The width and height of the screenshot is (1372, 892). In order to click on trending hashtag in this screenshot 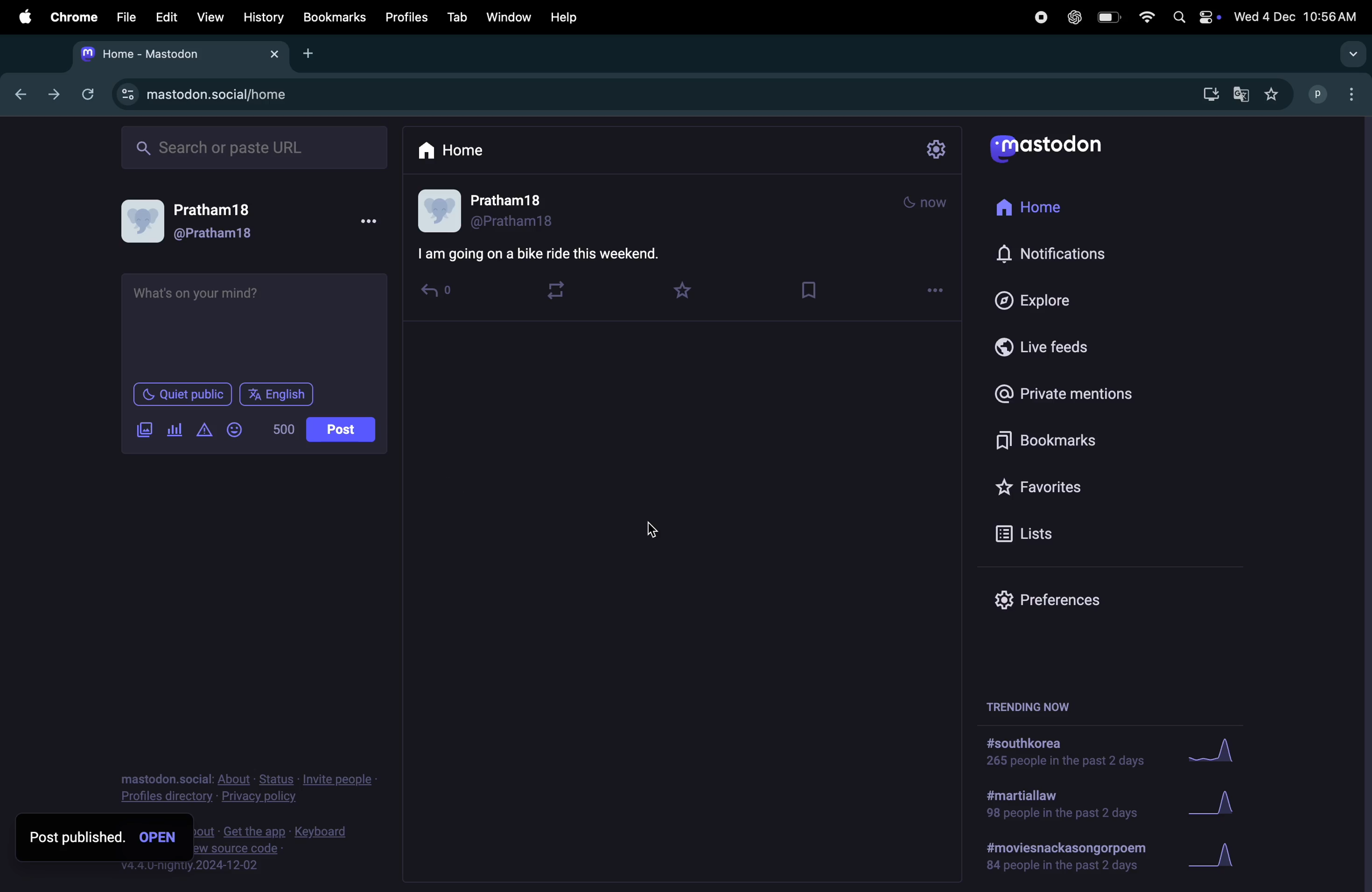, I will do `click(1063, 861)`.